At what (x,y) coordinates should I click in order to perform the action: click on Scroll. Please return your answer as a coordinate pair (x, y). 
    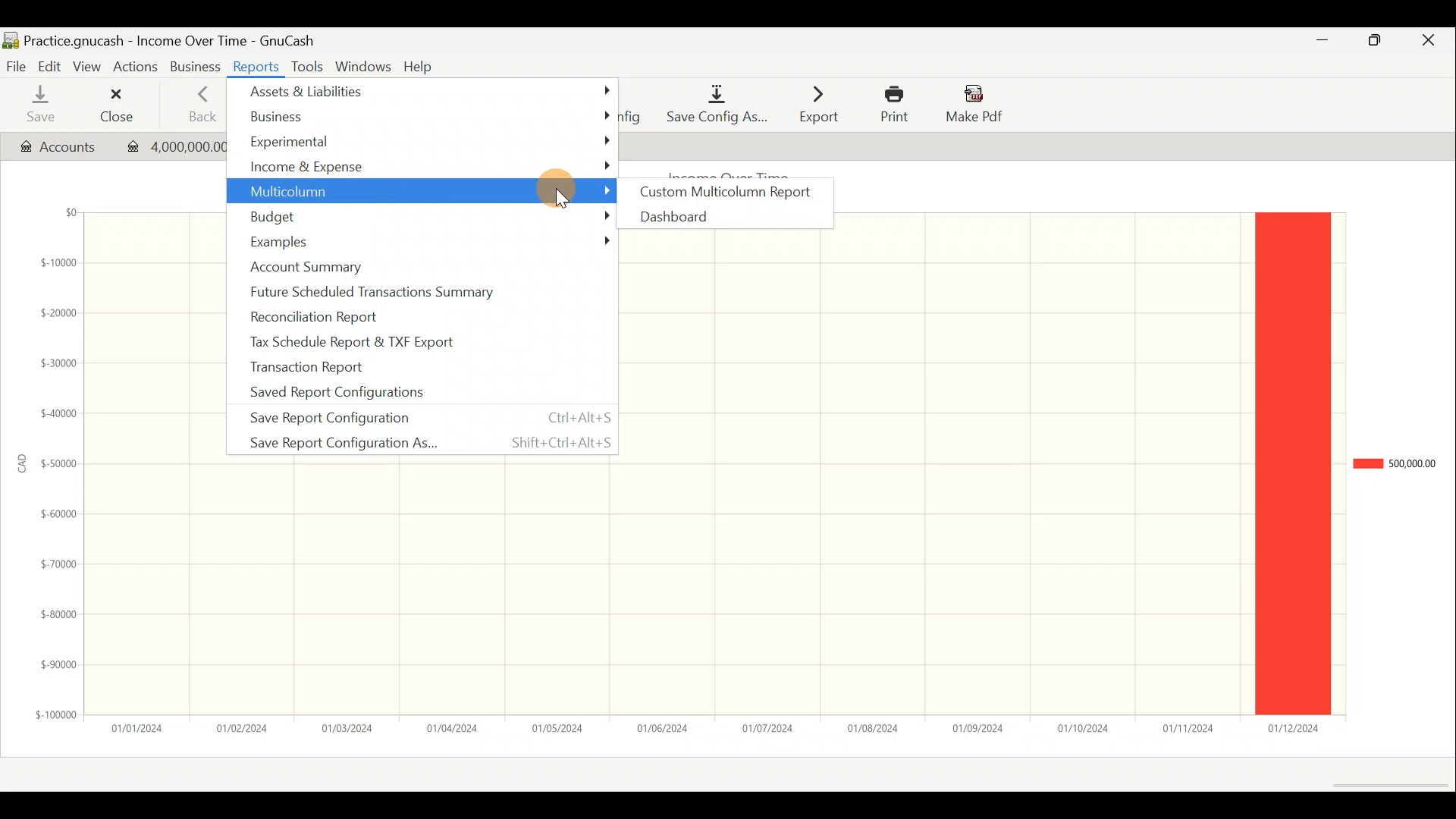
    Looking at the image, I should click on (1386, 787).